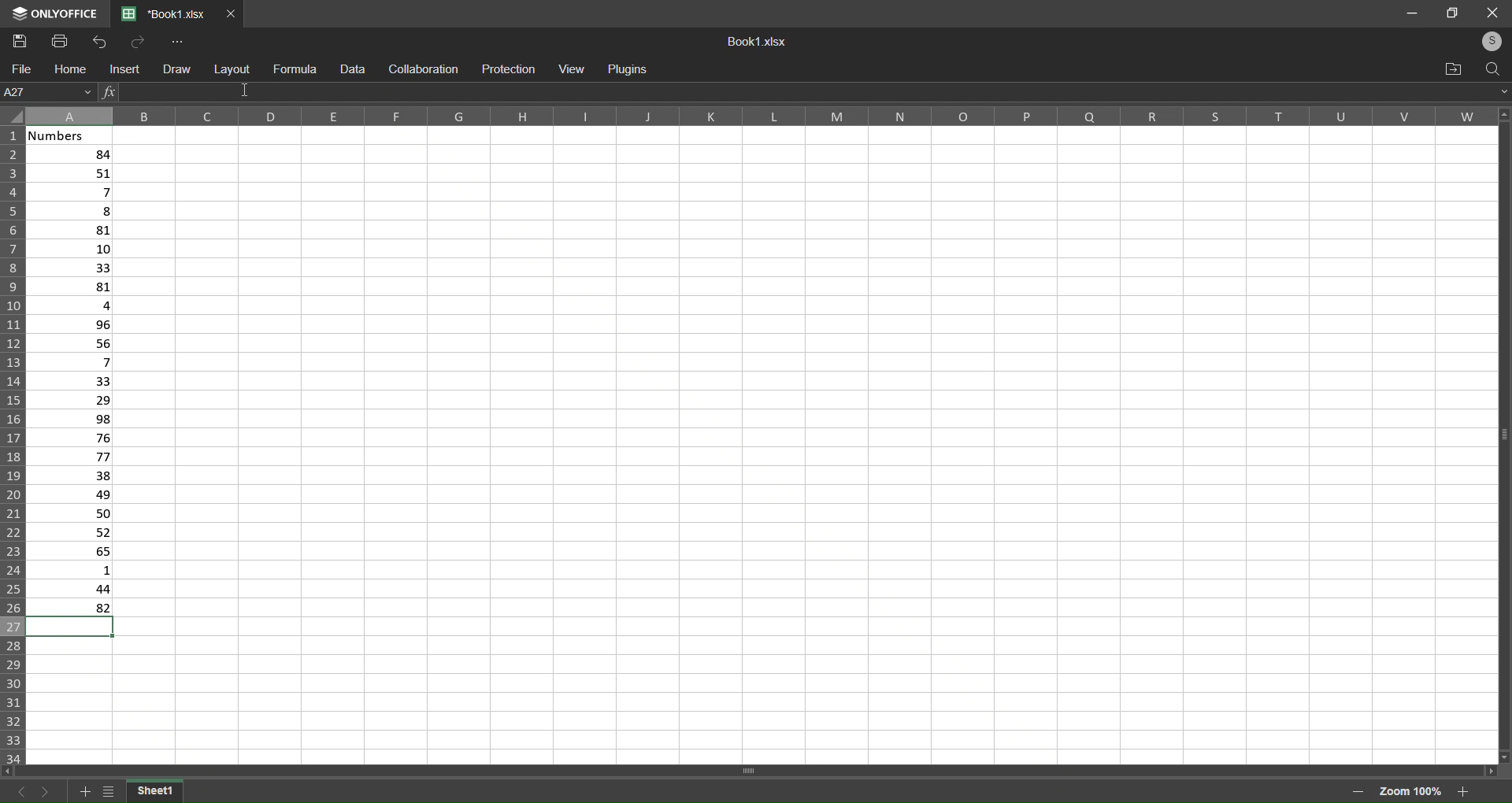  I want to click on move right, so click(1498, 774).